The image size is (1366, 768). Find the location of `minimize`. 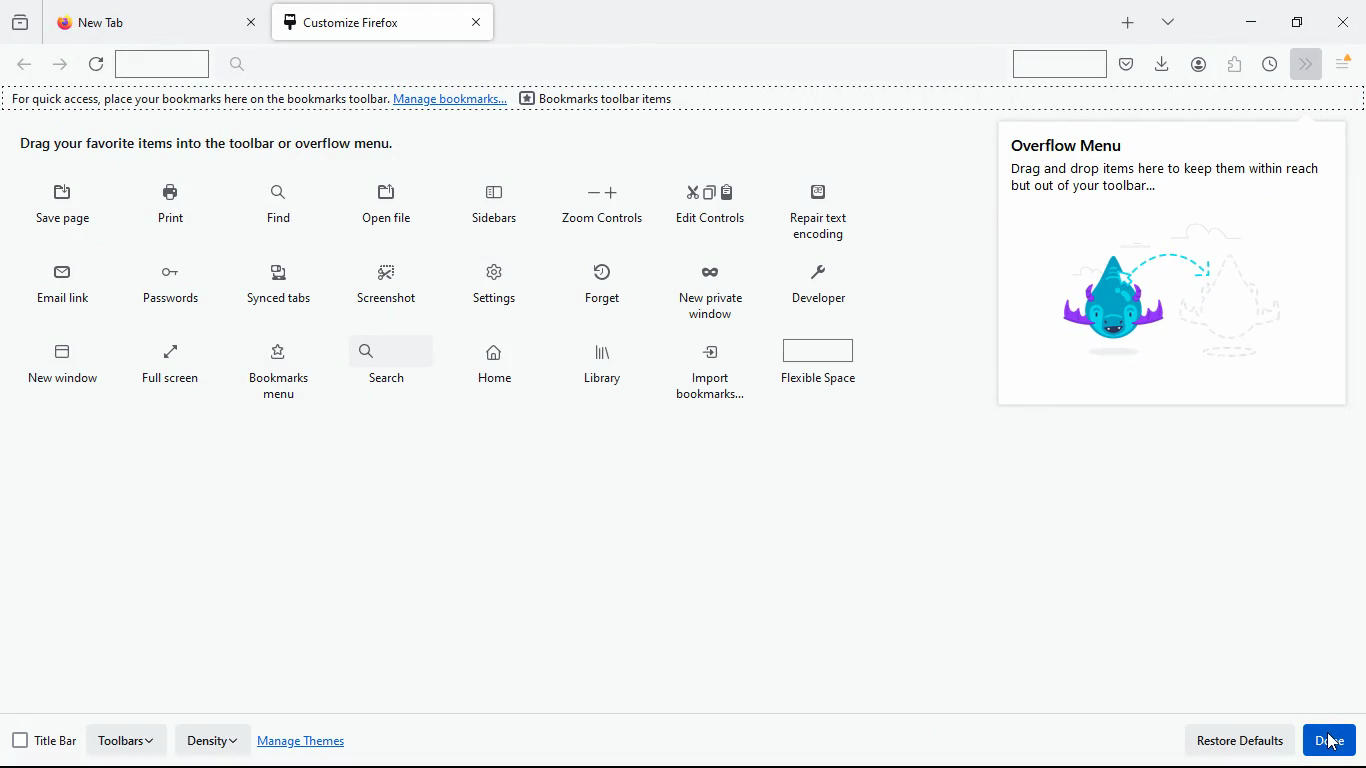

minimize is located at coordinates (1251, 20).